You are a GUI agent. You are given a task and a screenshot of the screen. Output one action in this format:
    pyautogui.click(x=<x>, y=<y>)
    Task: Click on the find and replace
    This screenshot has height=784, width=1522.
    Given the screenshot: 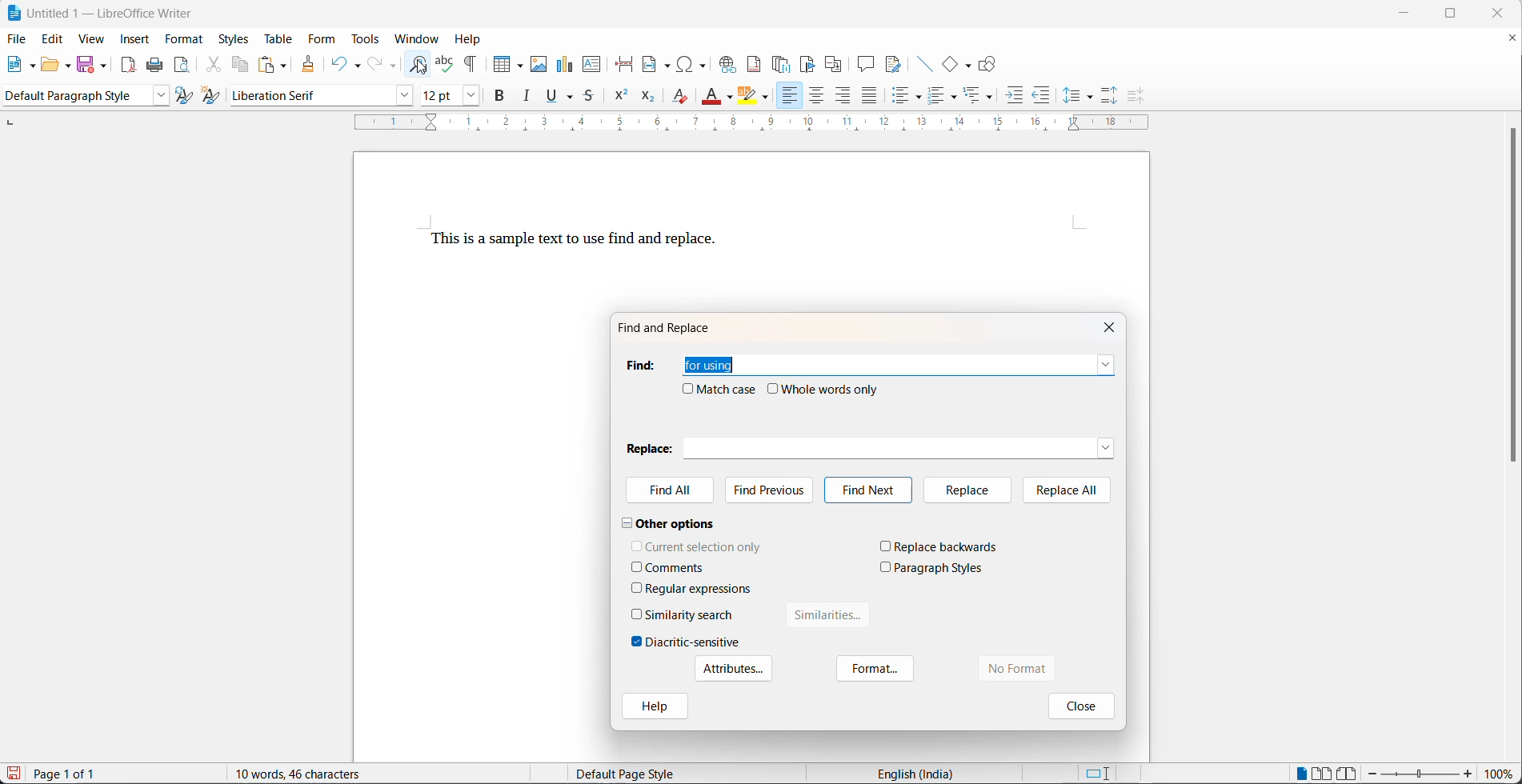 What is the action you would take?
    pyautogui.click(x=419, y=62)
    